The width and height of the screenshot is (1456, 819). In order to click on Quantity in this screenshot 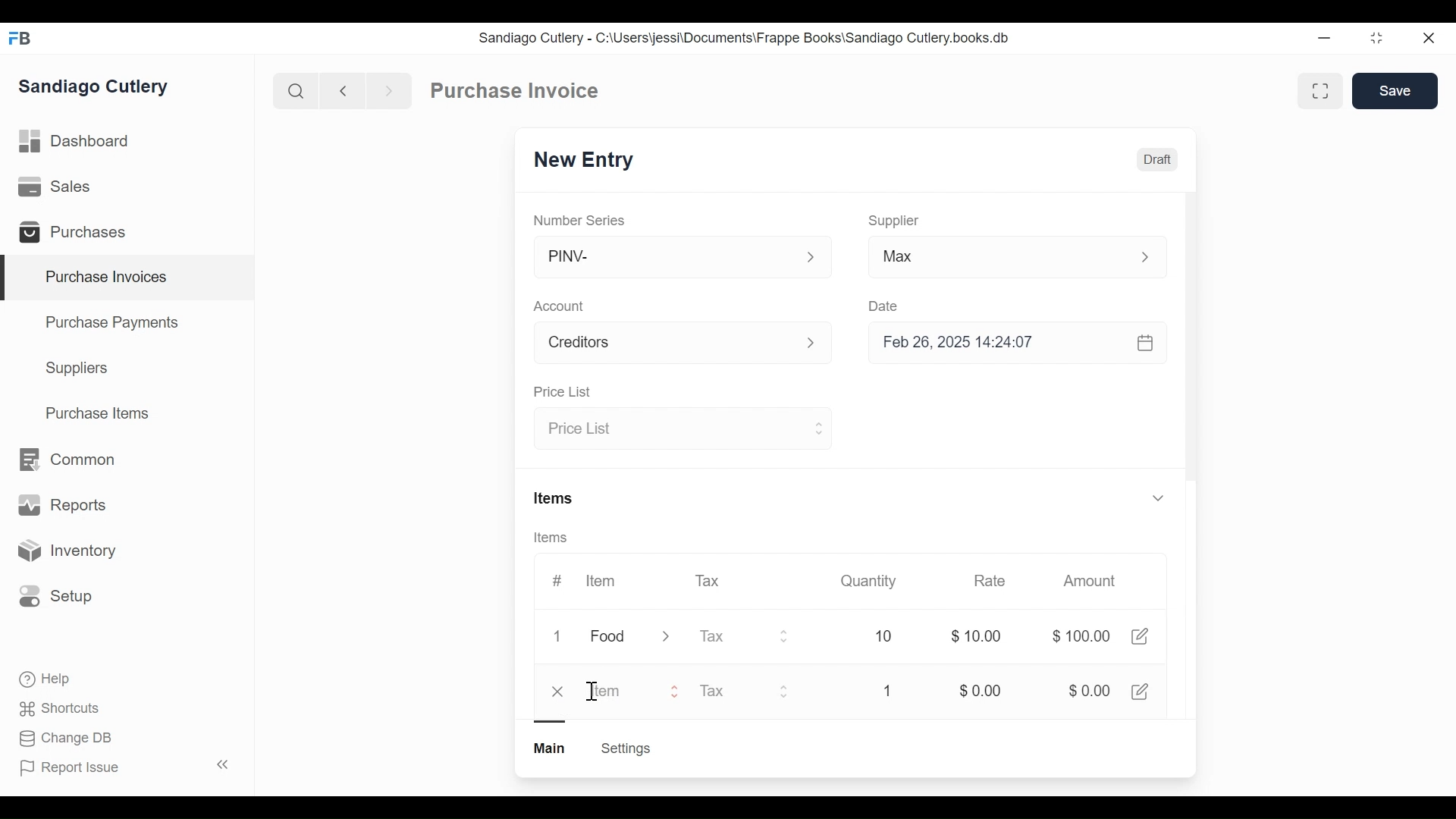, I will do `click(867, 580)`.